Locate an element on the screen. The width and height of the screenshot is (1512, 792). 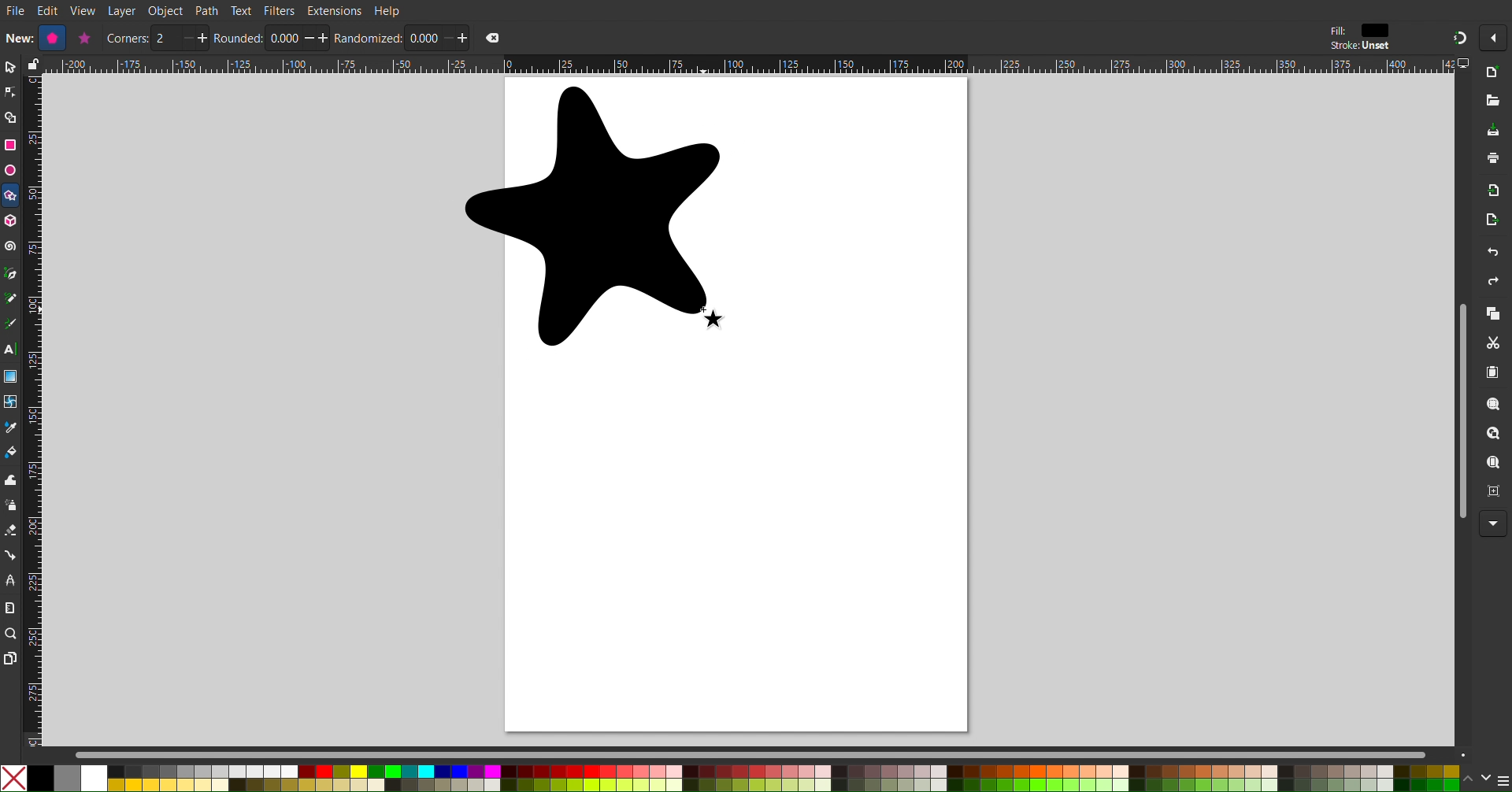
Zoom Drawing is located at coordinates (1495, 435).